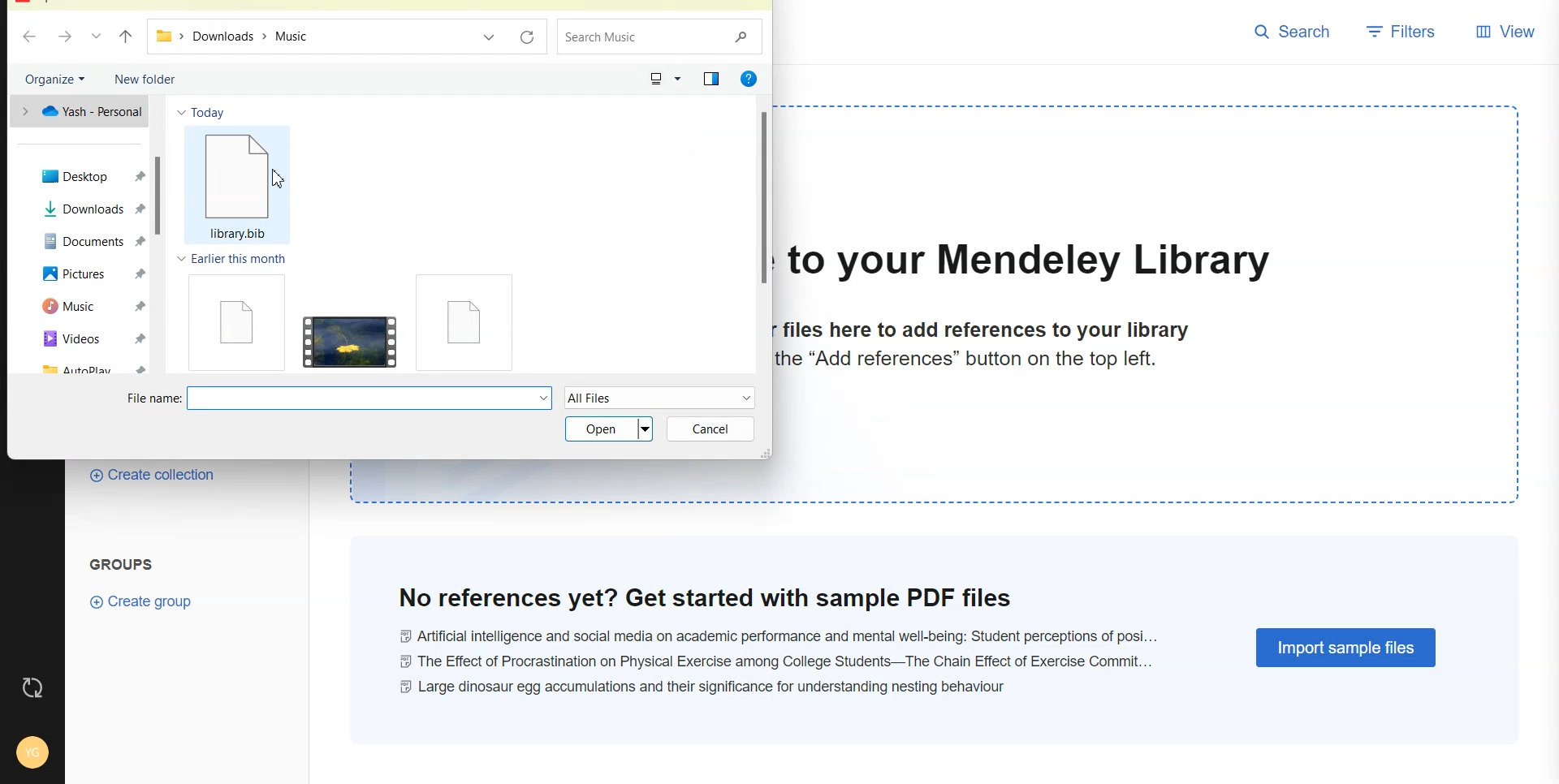 This screenshot has height=784, width=1559. I want to click on Show the preview pane, so click(712, 78).